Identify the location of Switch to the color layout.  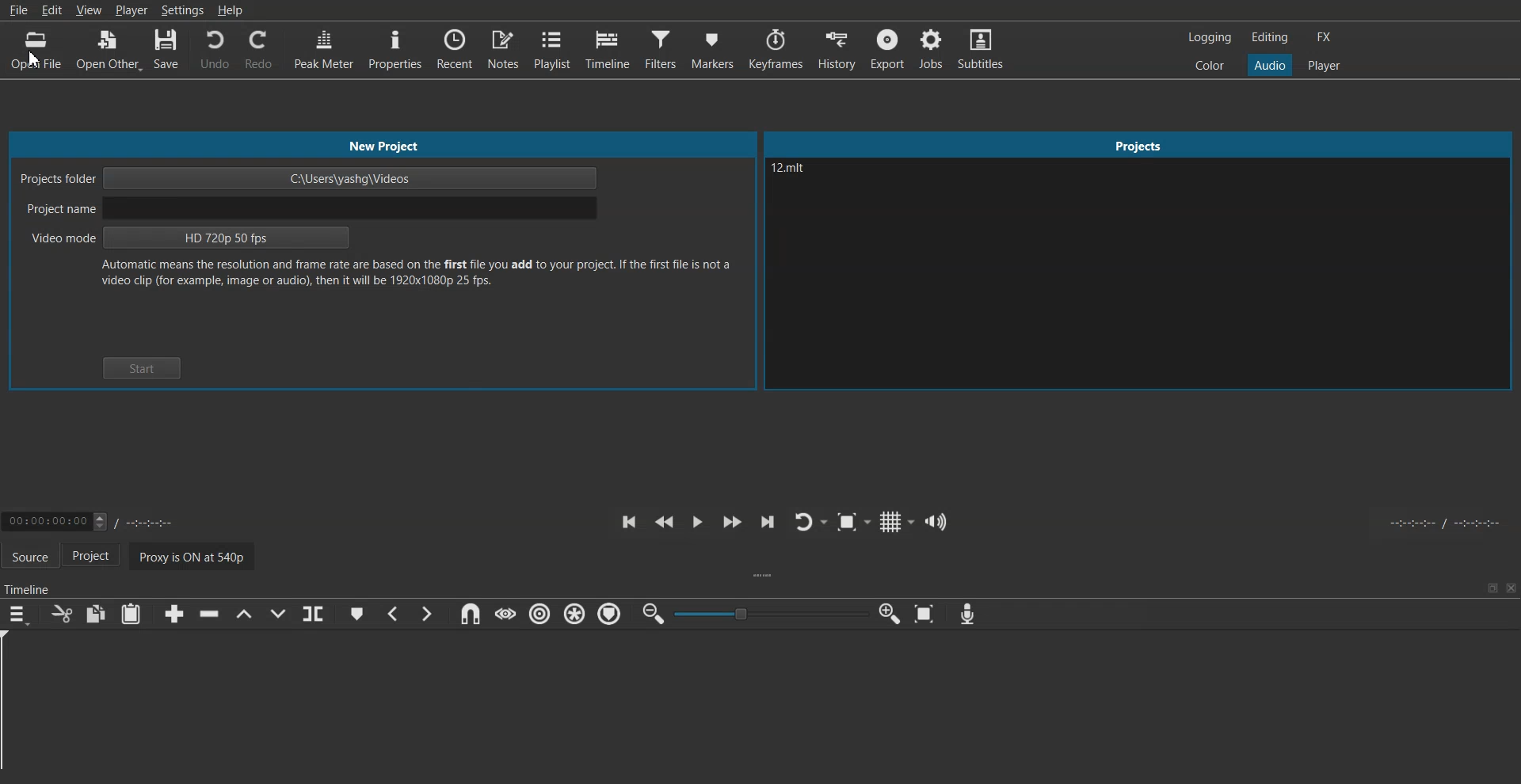
(1211, 66).